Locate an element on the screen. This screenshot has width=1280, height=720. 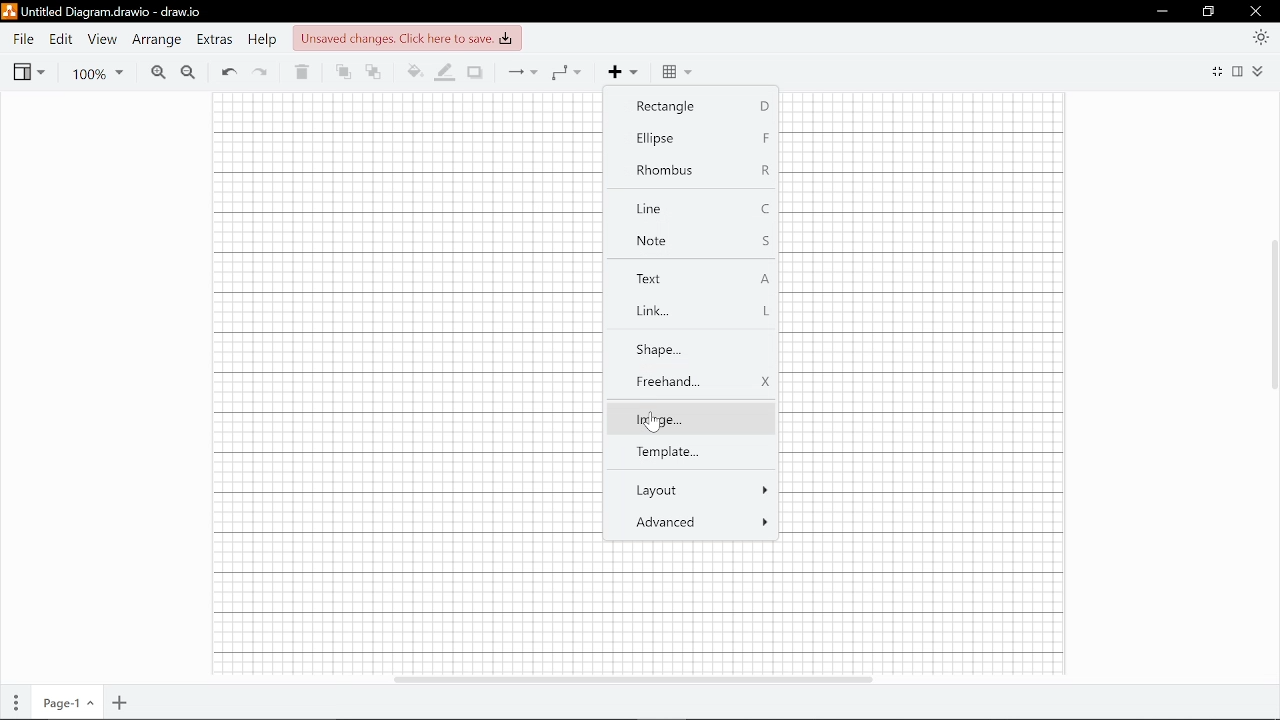
Zoom is located at coordinates (94, 72).